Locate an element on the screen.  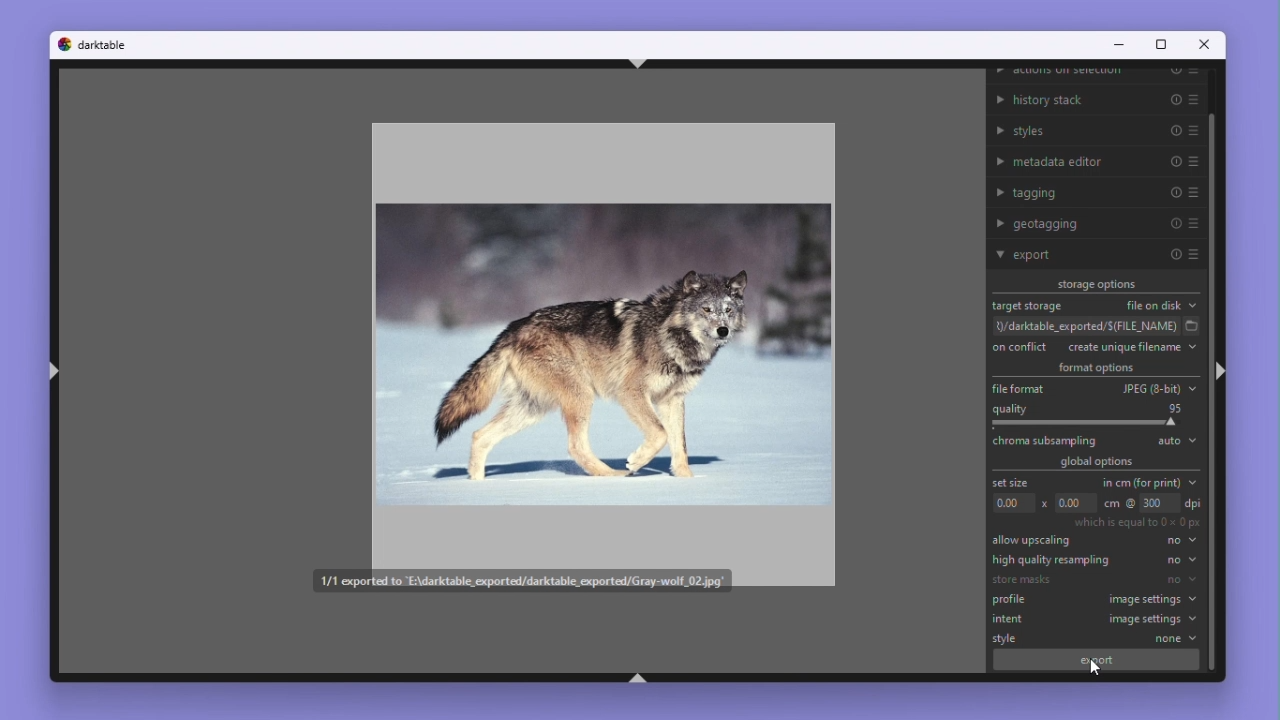
Target storage is located at coordinates (1026, 306).